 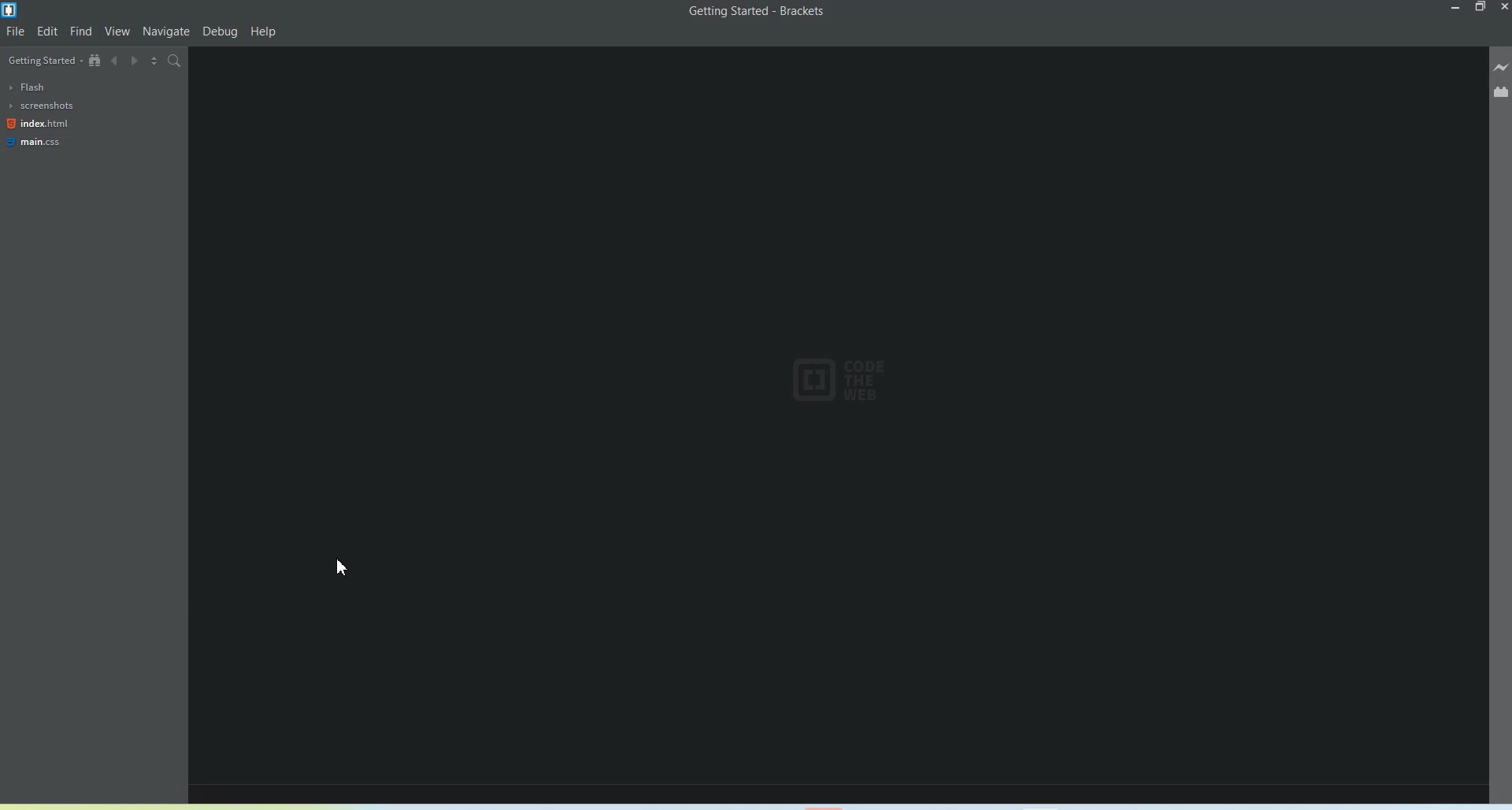 What do you see at coordinates (43, 124) in the screenshot?
I see `index` at bounding box center [43, 124].